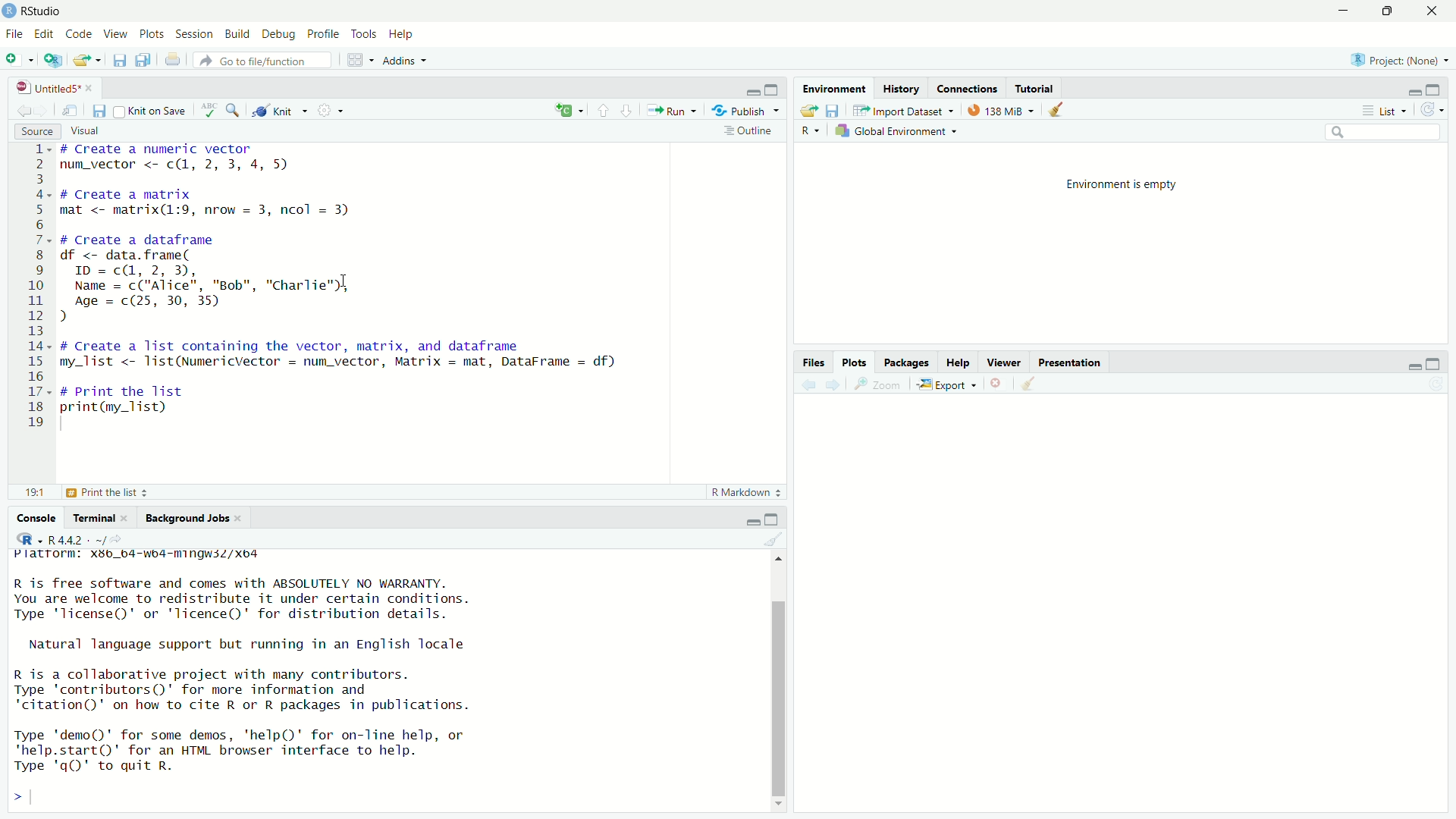 This screenshot has height=819, width=1456. What do you see at coordinates (235, 111) in the screenshot?
I see `search` at bounding box center [235, 111].